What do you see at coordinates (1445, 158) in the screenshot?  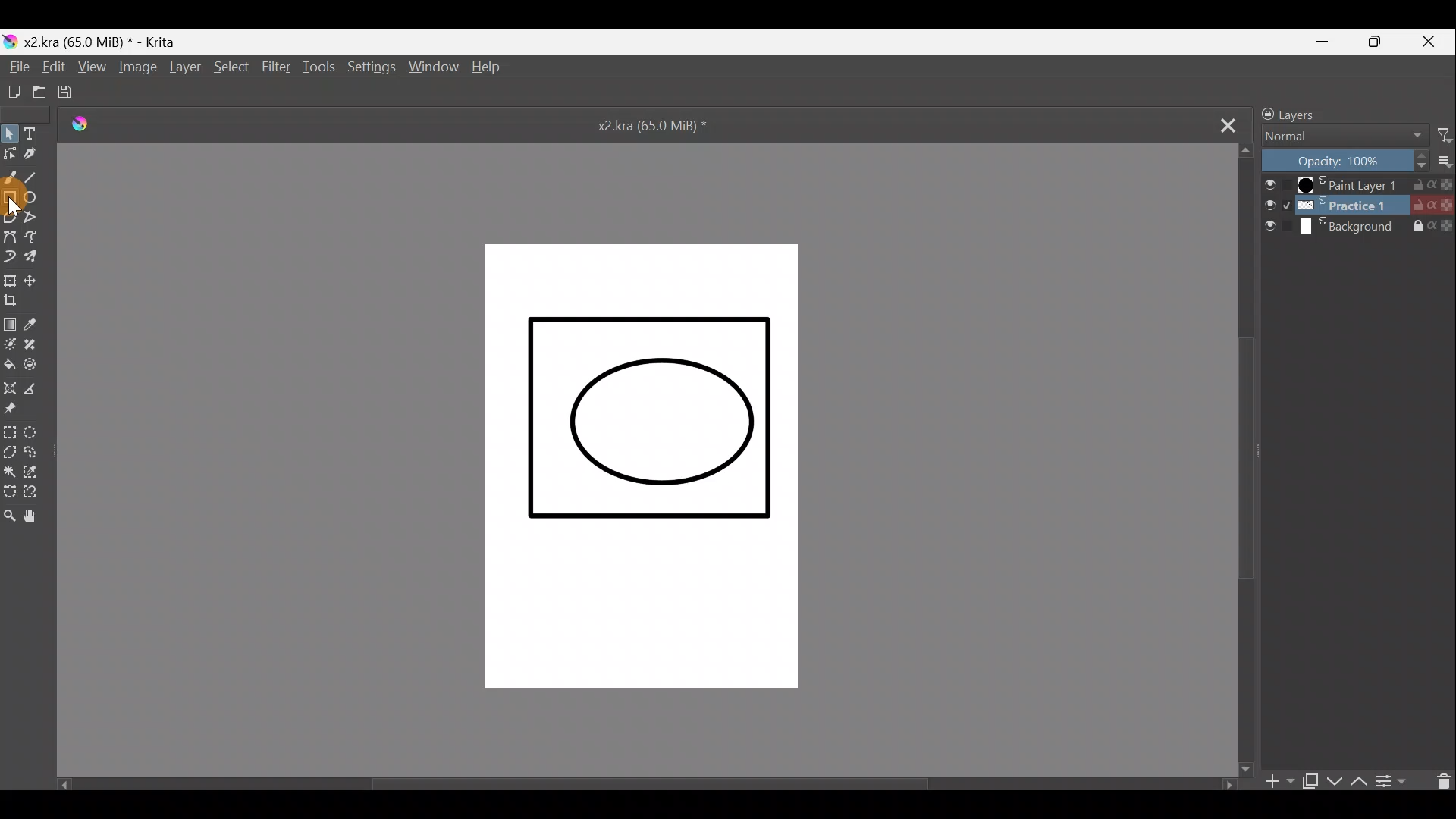 I see `More` at bounding box center [1445, 158].